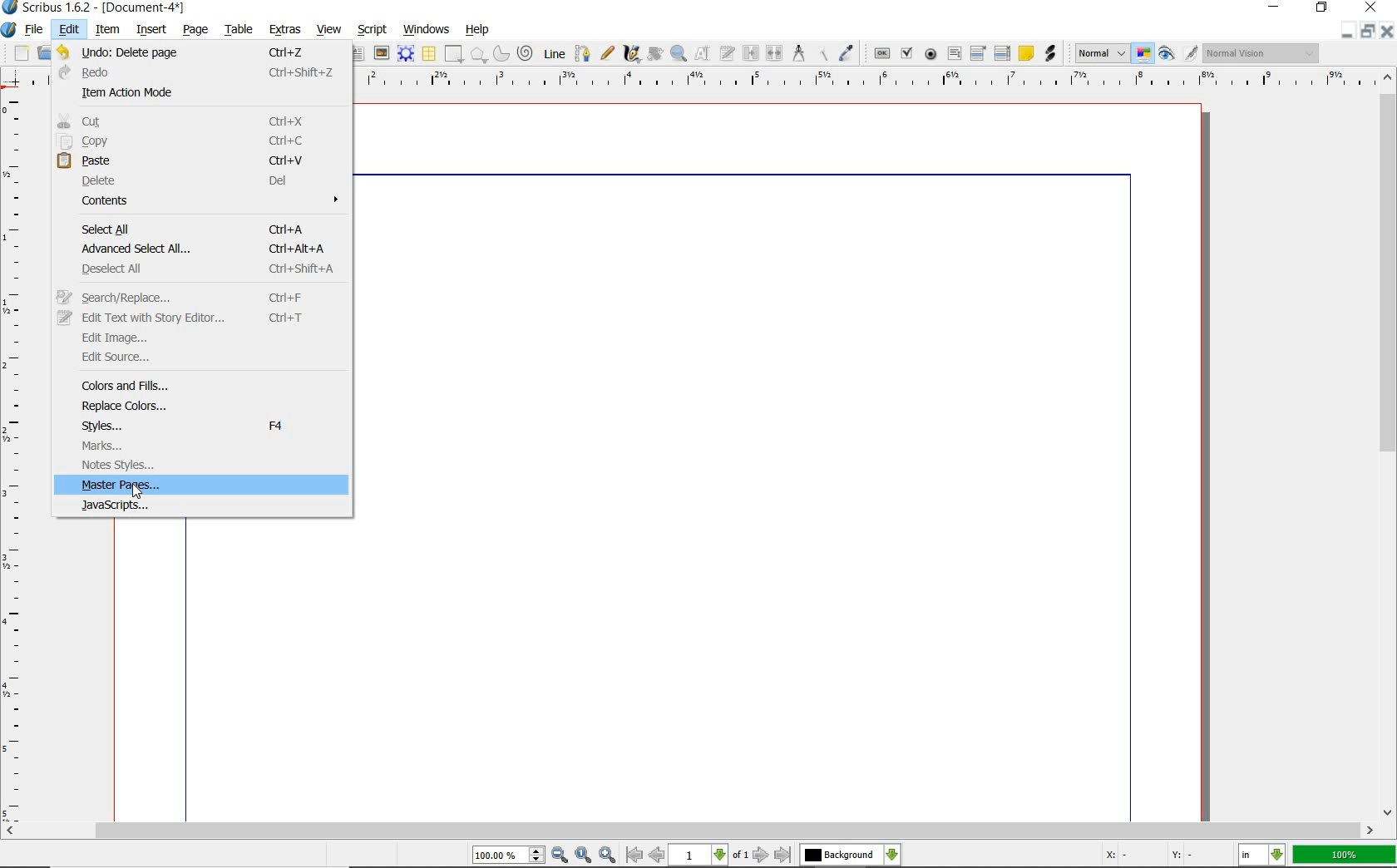  Describe the element at coordinates (847, 53) in the screenshot. I see `eye dropper` at that location.